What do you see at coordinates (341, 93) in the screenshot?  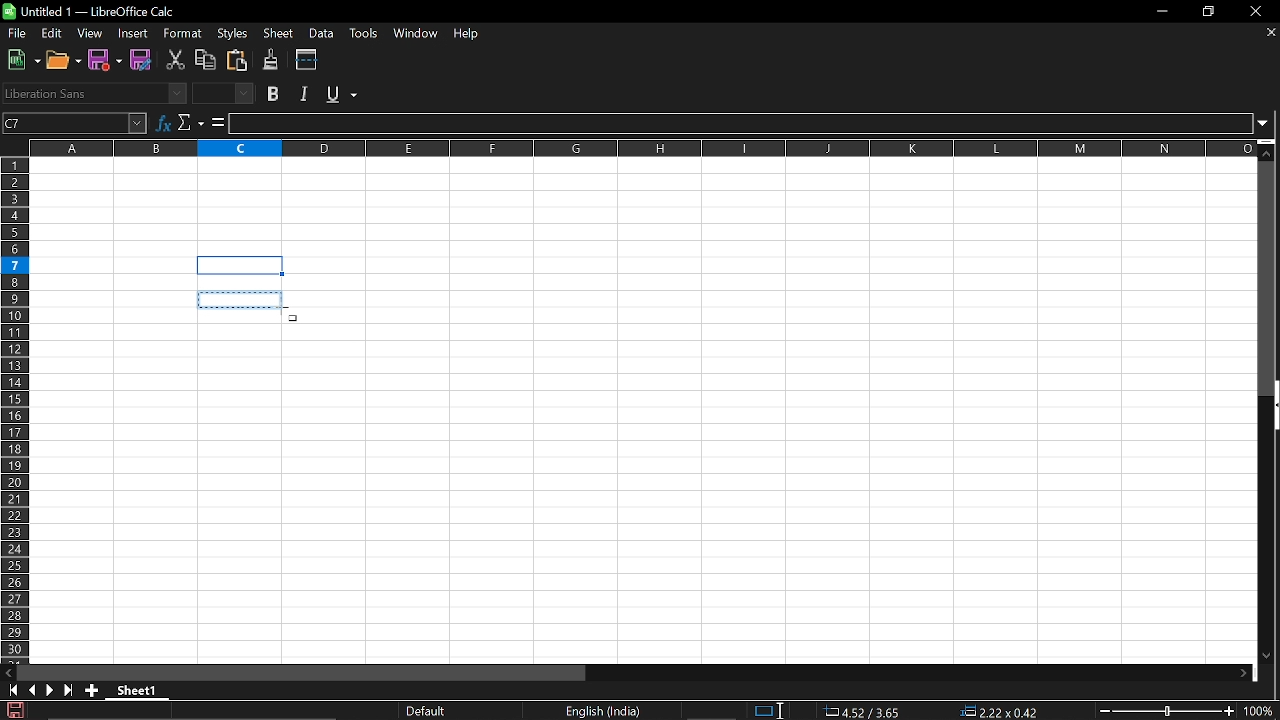 I see `Undetline` at bounding box center [341, 93].